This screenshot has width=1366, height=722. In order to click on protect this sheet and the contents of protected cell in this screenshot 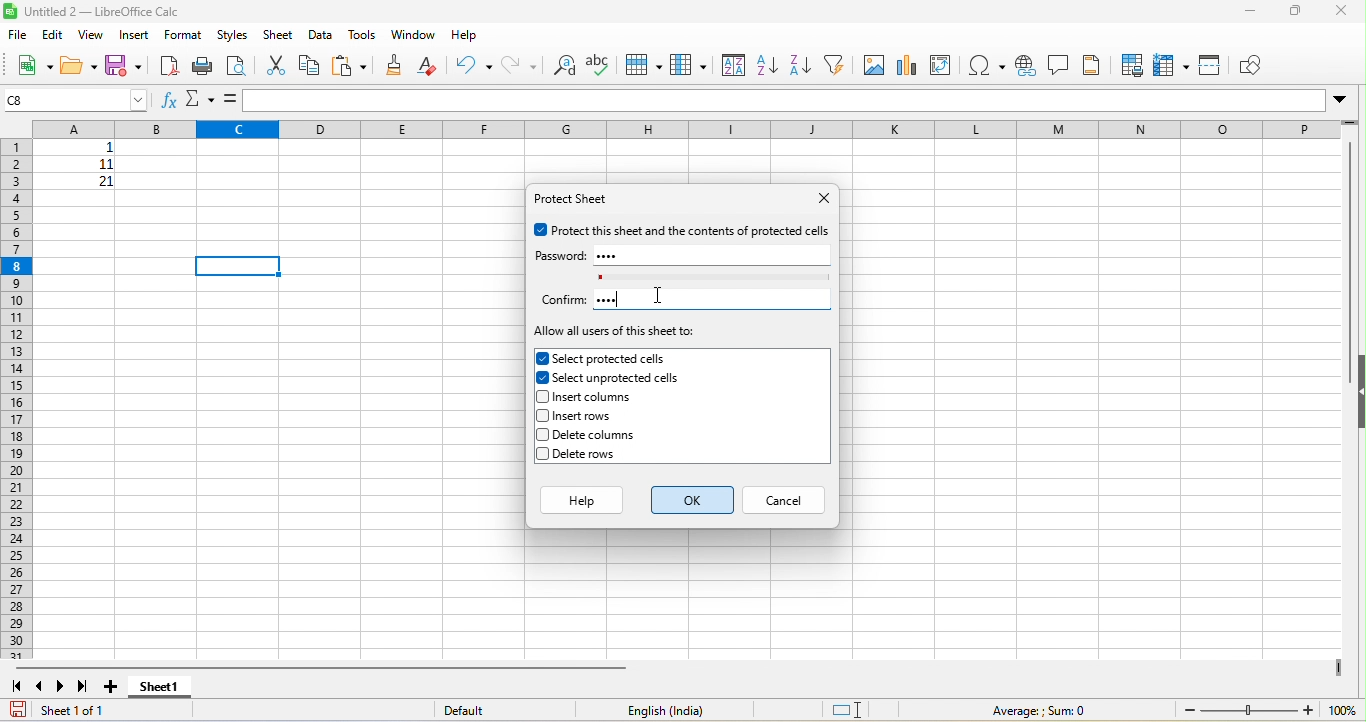, I will do `click(682, 230)`.